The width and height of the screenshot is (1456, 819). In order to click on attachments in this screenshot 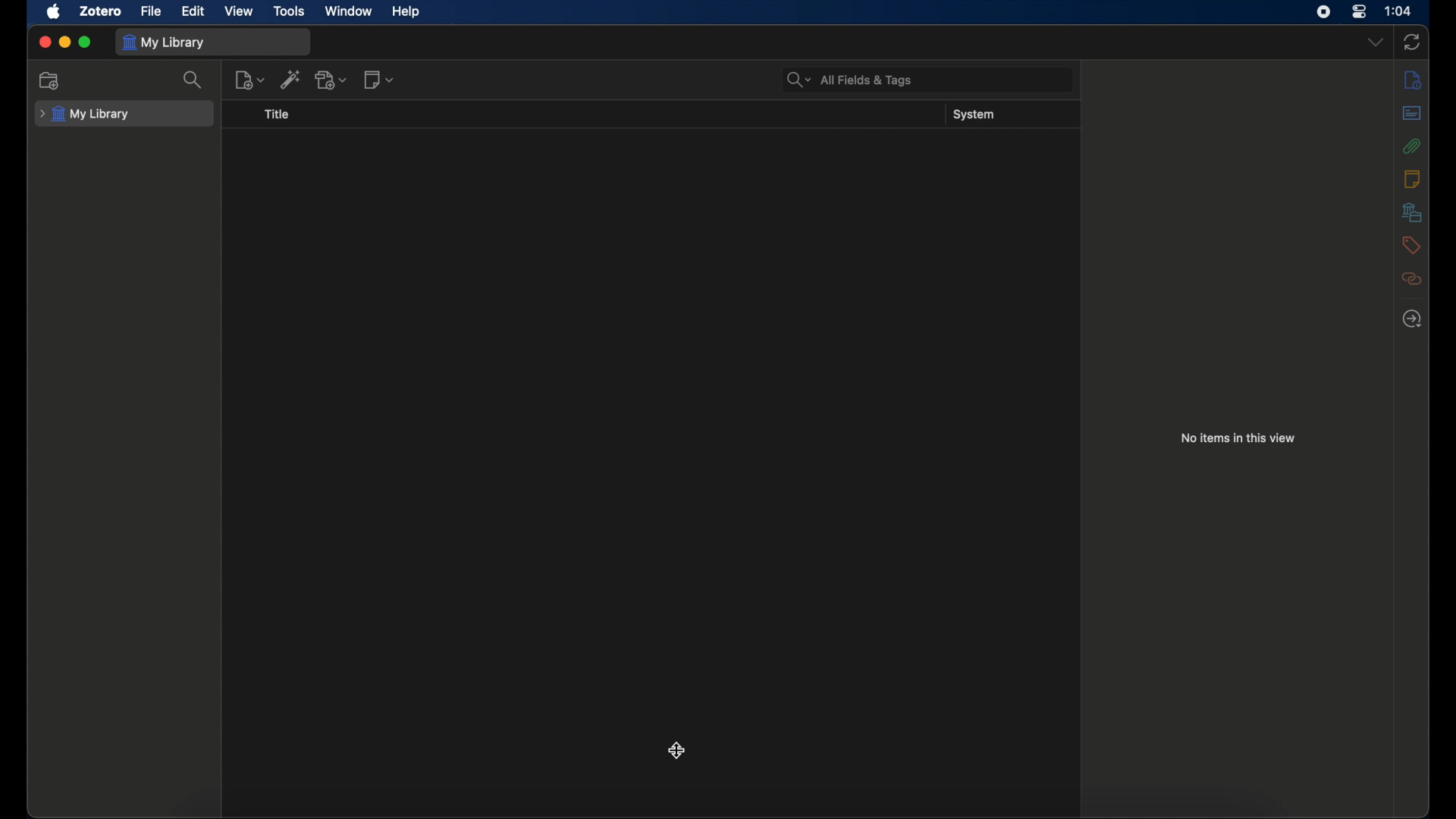, I will do `click(1412, 146)`.